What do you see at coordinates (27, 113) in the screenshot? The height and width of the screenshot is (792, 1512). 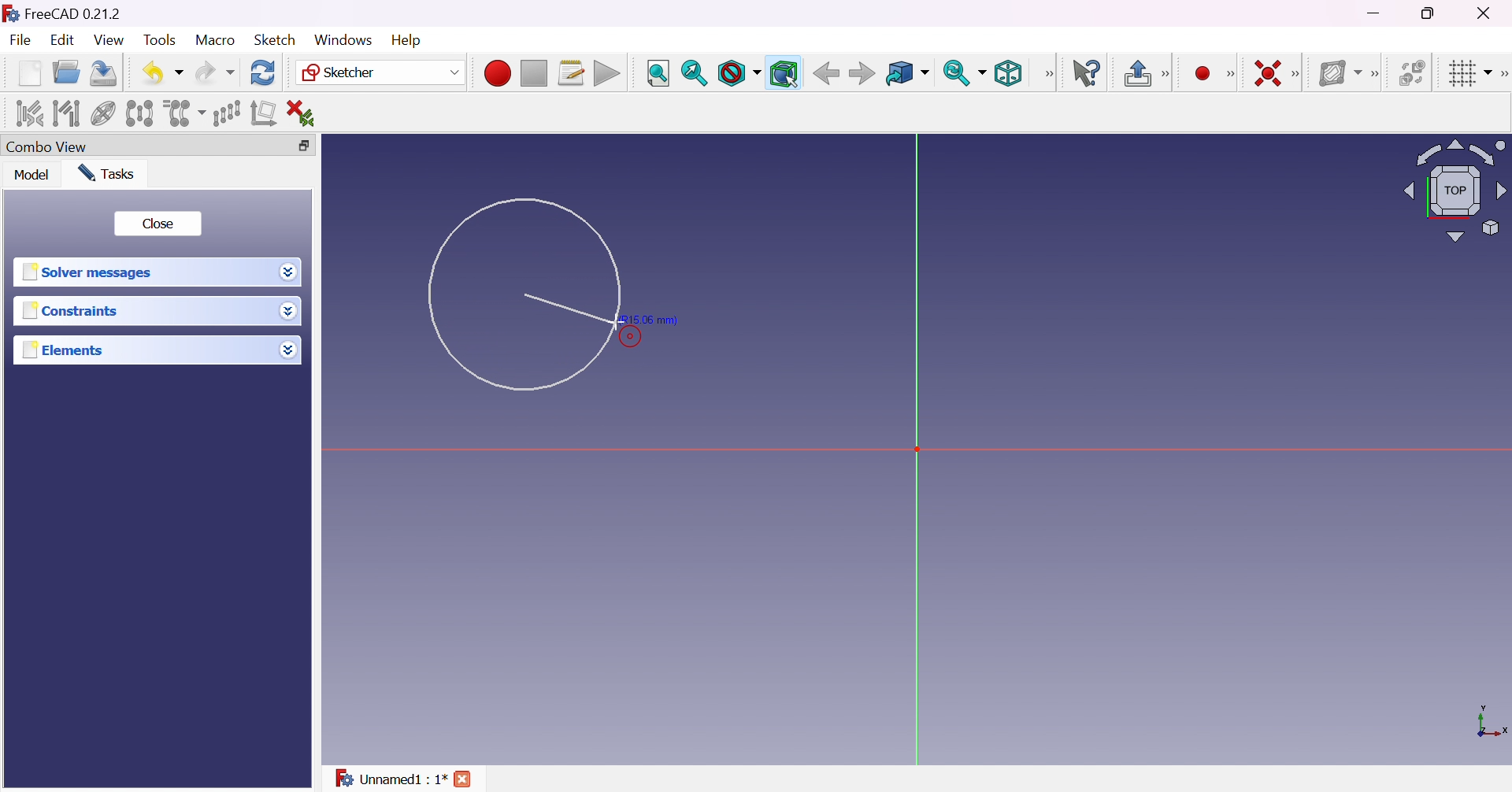 I see `Select associated constraints` at bounding box center [27, 113].